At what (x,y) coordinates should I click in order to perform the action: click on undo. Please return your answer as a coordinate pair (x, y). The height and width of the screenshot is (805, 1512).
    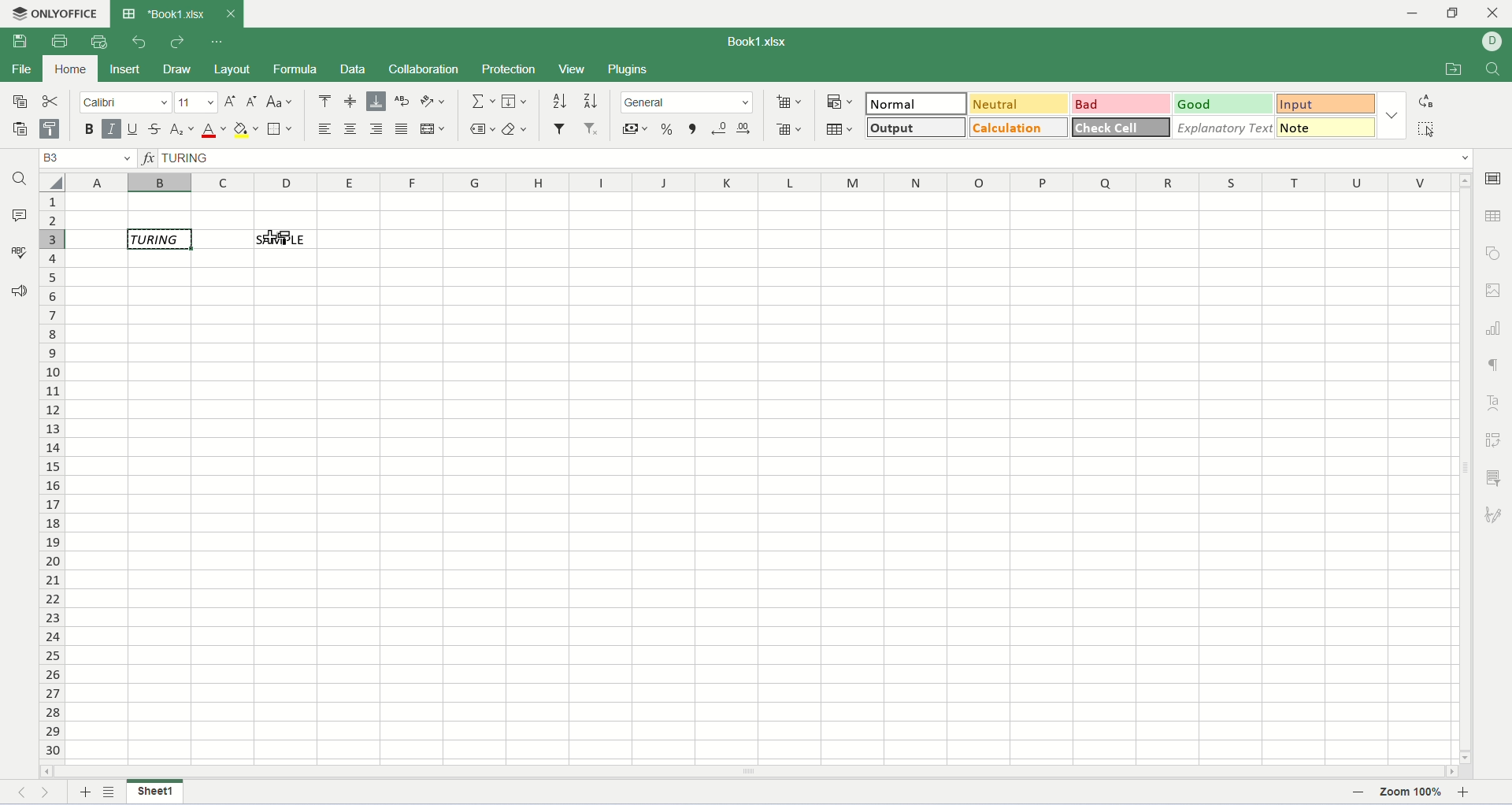
    Looking at the image, I should click on (140, 43).